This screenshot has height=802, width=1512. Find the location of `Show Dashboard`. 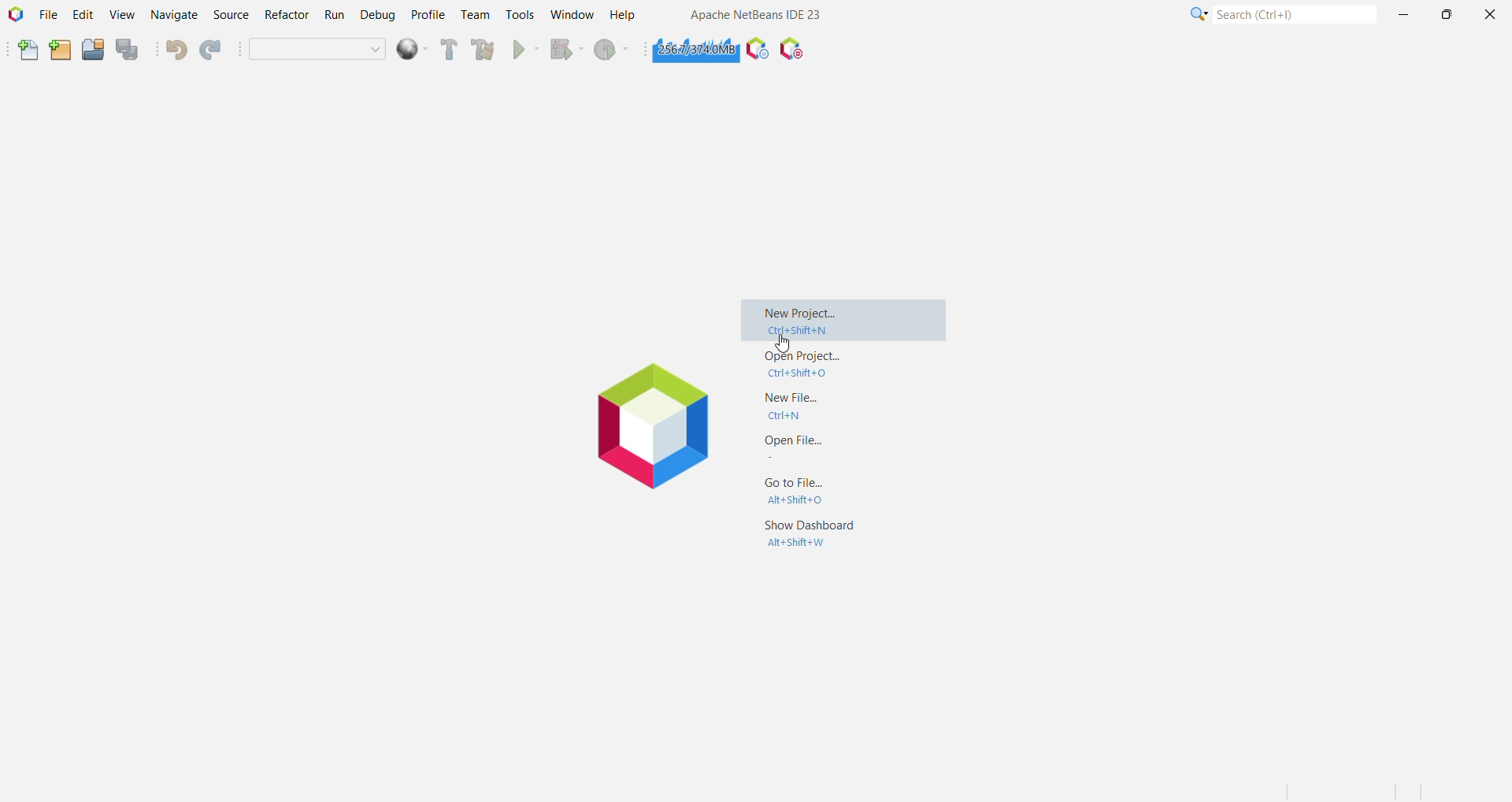

Show Dashboard is located at coordinates (846, 533).